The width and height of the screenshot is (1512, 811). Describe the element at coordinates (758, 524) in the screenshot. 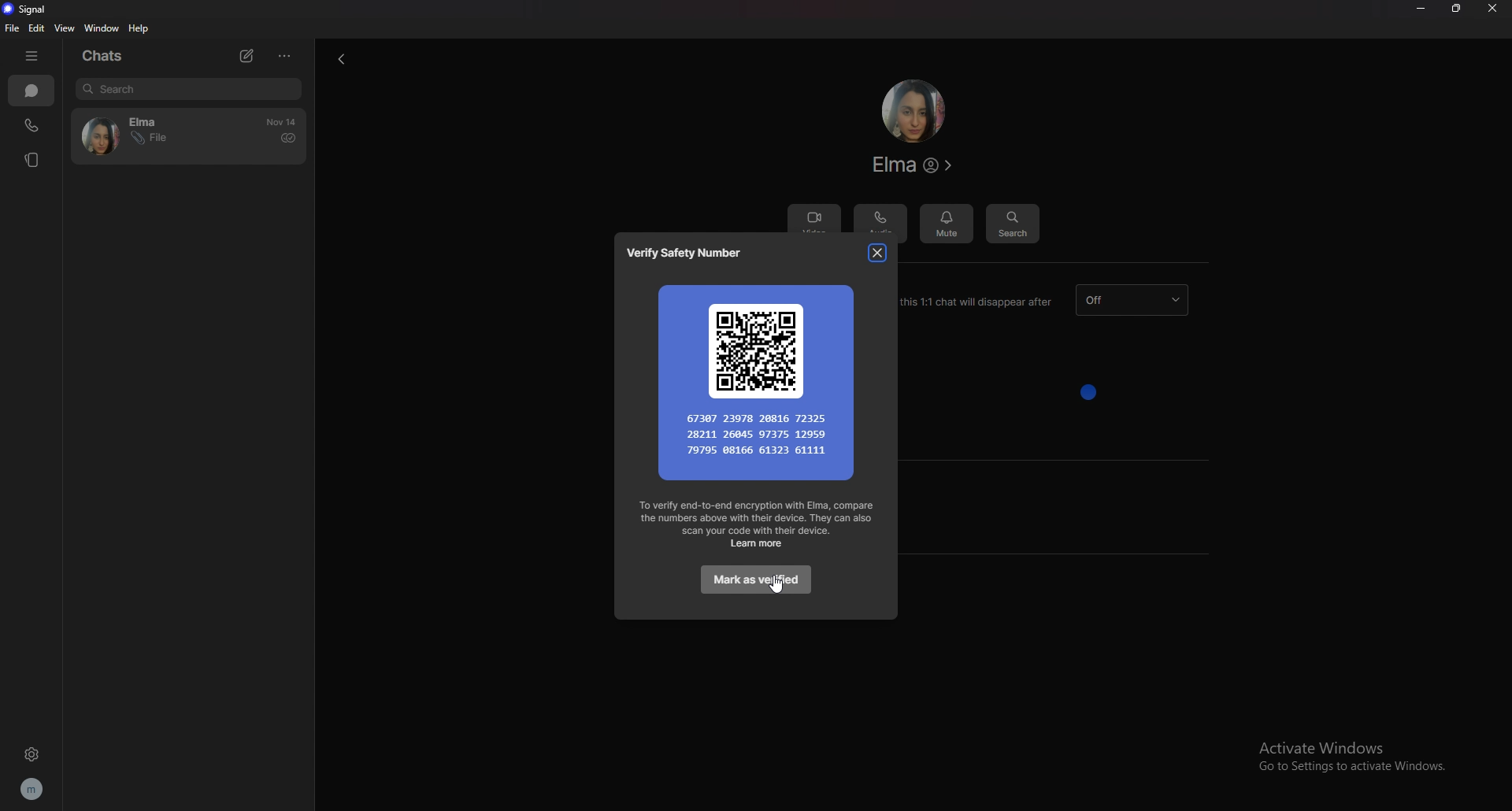

I see `info` at that location.